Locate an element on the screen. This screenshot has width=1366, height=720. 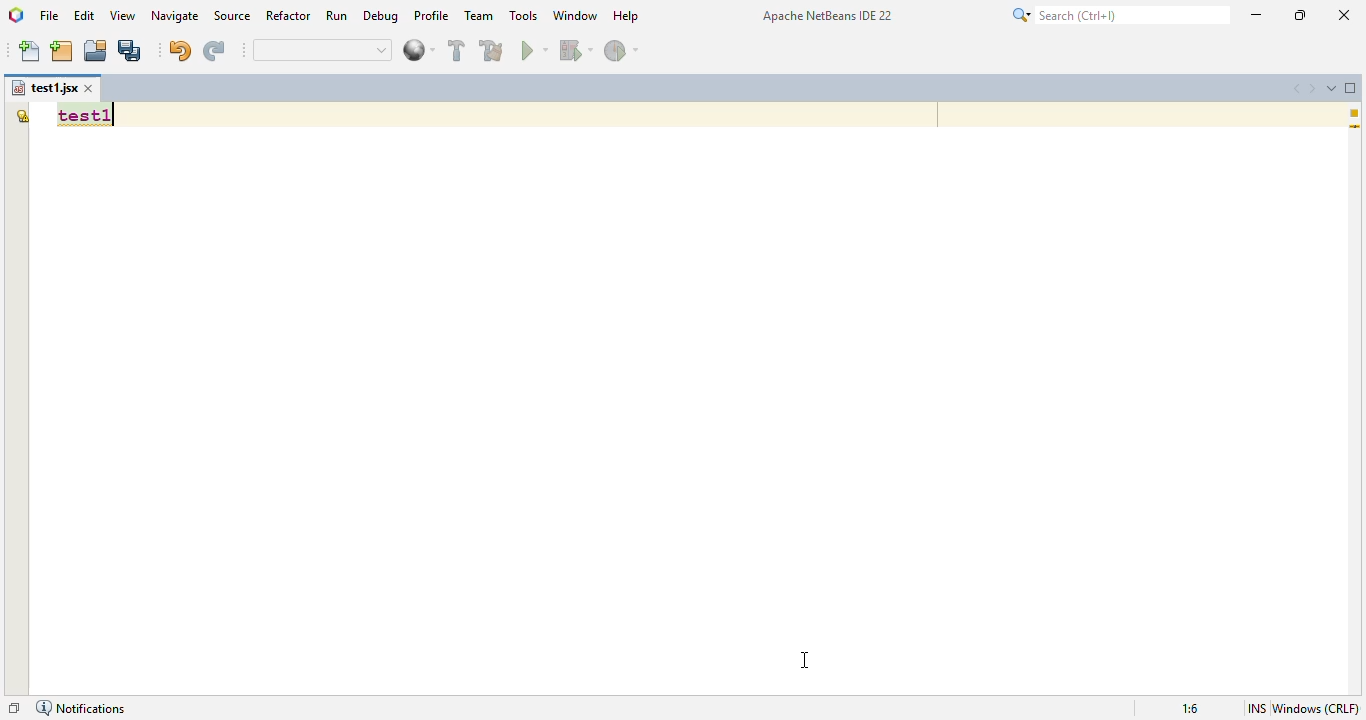
the global variable "test1" is not declared. is located at coordinates (20, 112).